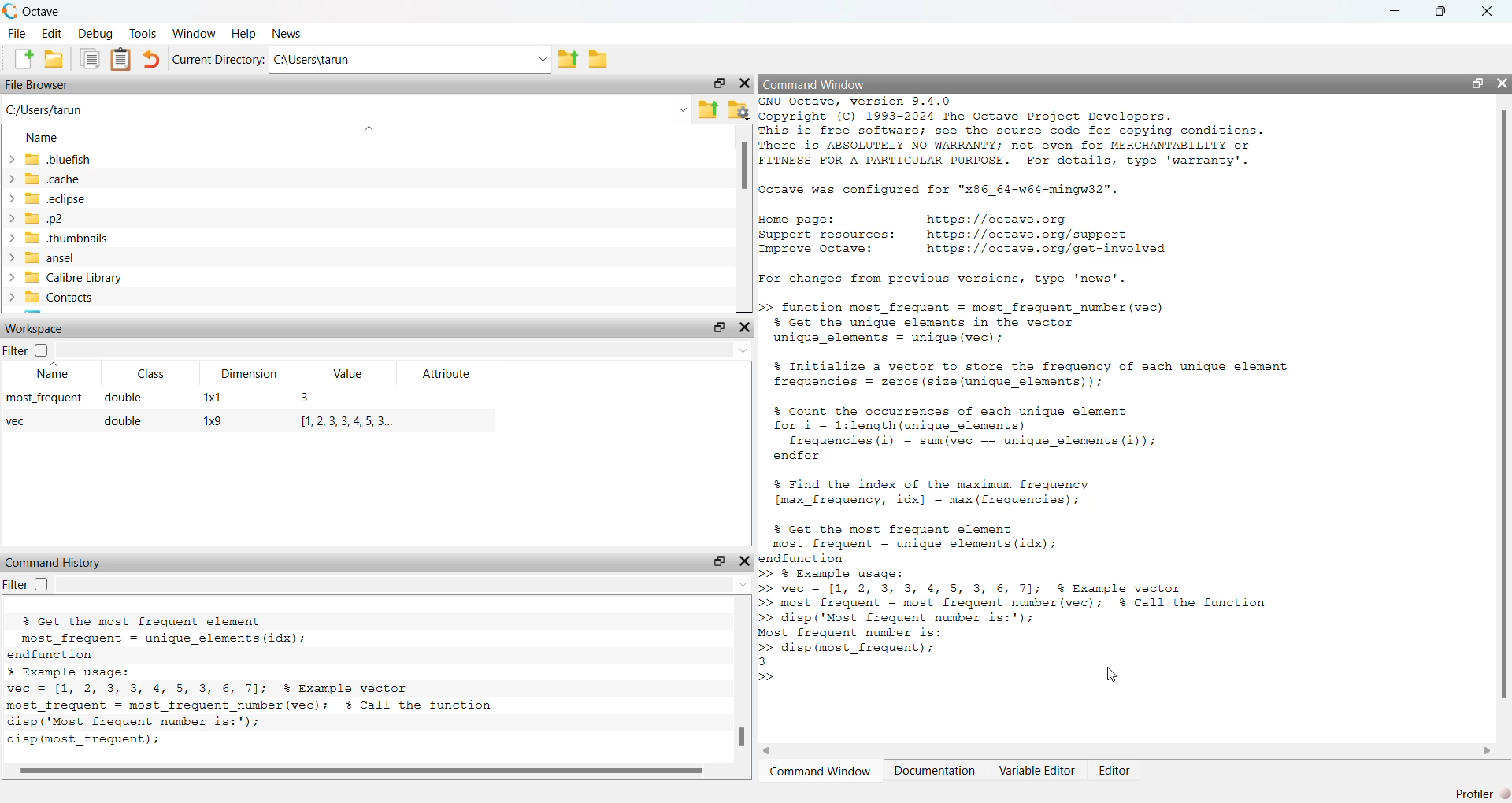 The height and width of the screenshot is (803, 1512). Describe the element at coordinates (287, 34) in the screenshot. I see `News` at that location.